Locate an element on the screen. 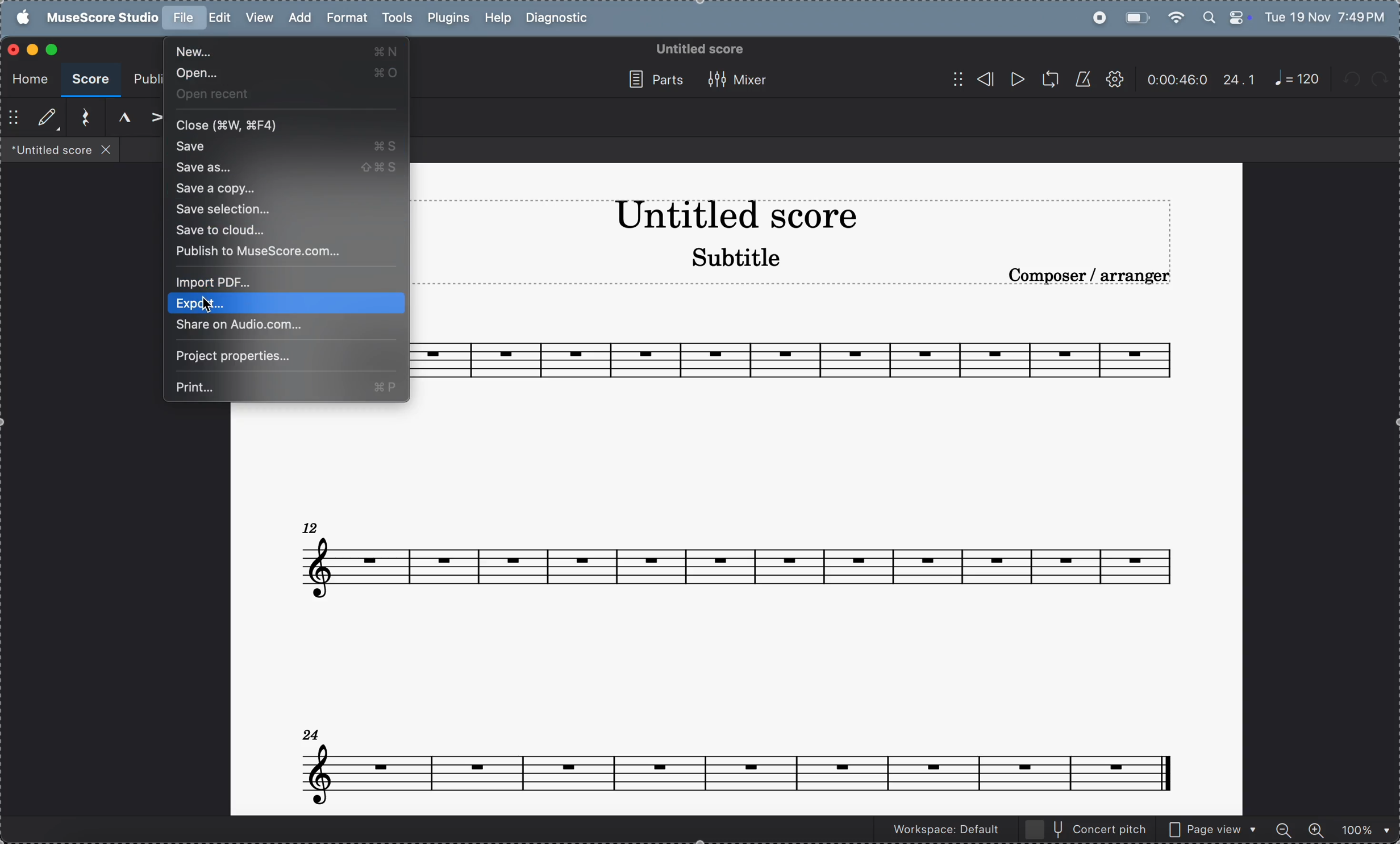  mixer is located at coordinates (741, 79).